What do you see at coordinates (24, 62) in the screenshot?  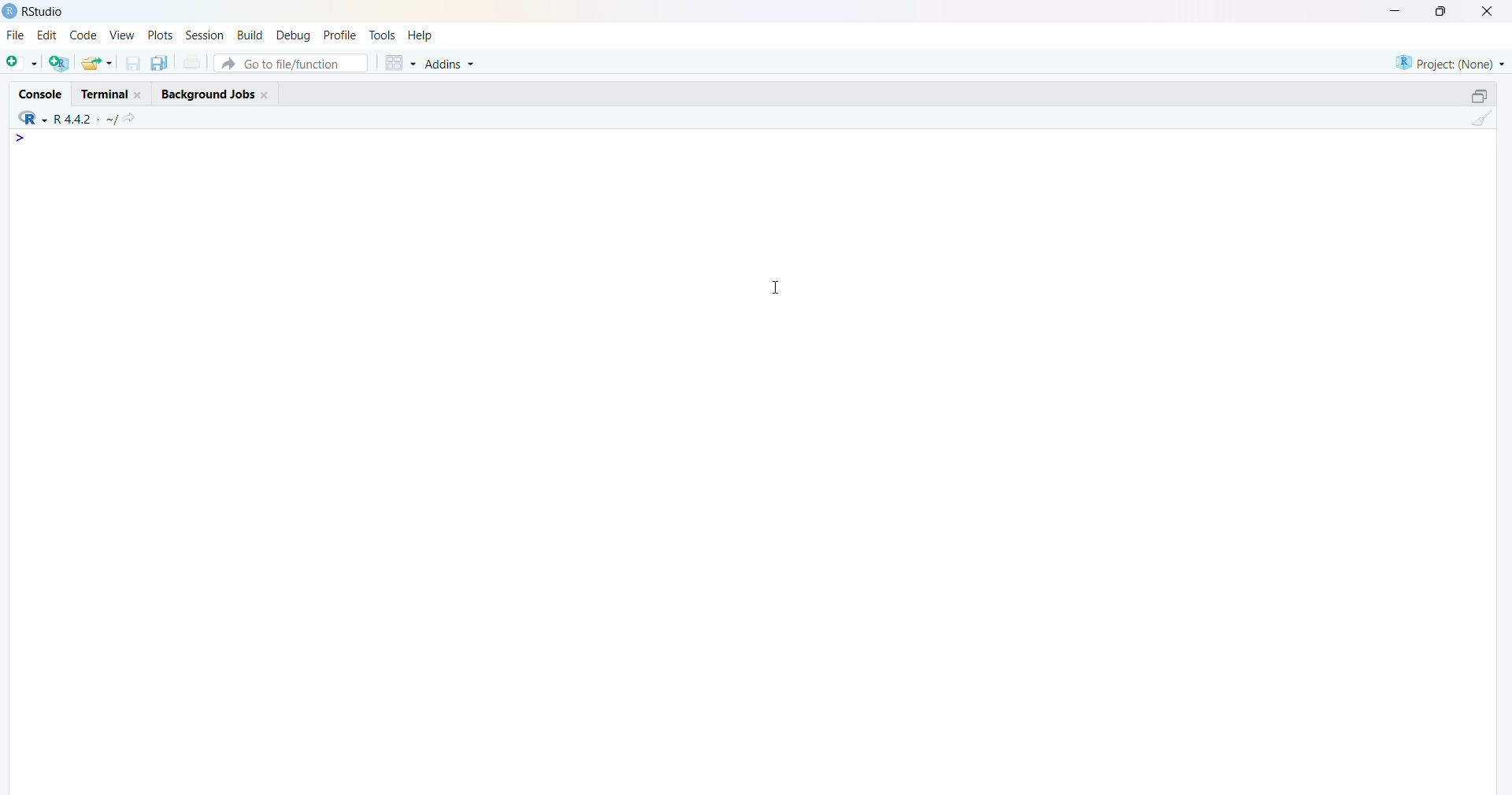 I see `open file` at bounding box center [24, 62].